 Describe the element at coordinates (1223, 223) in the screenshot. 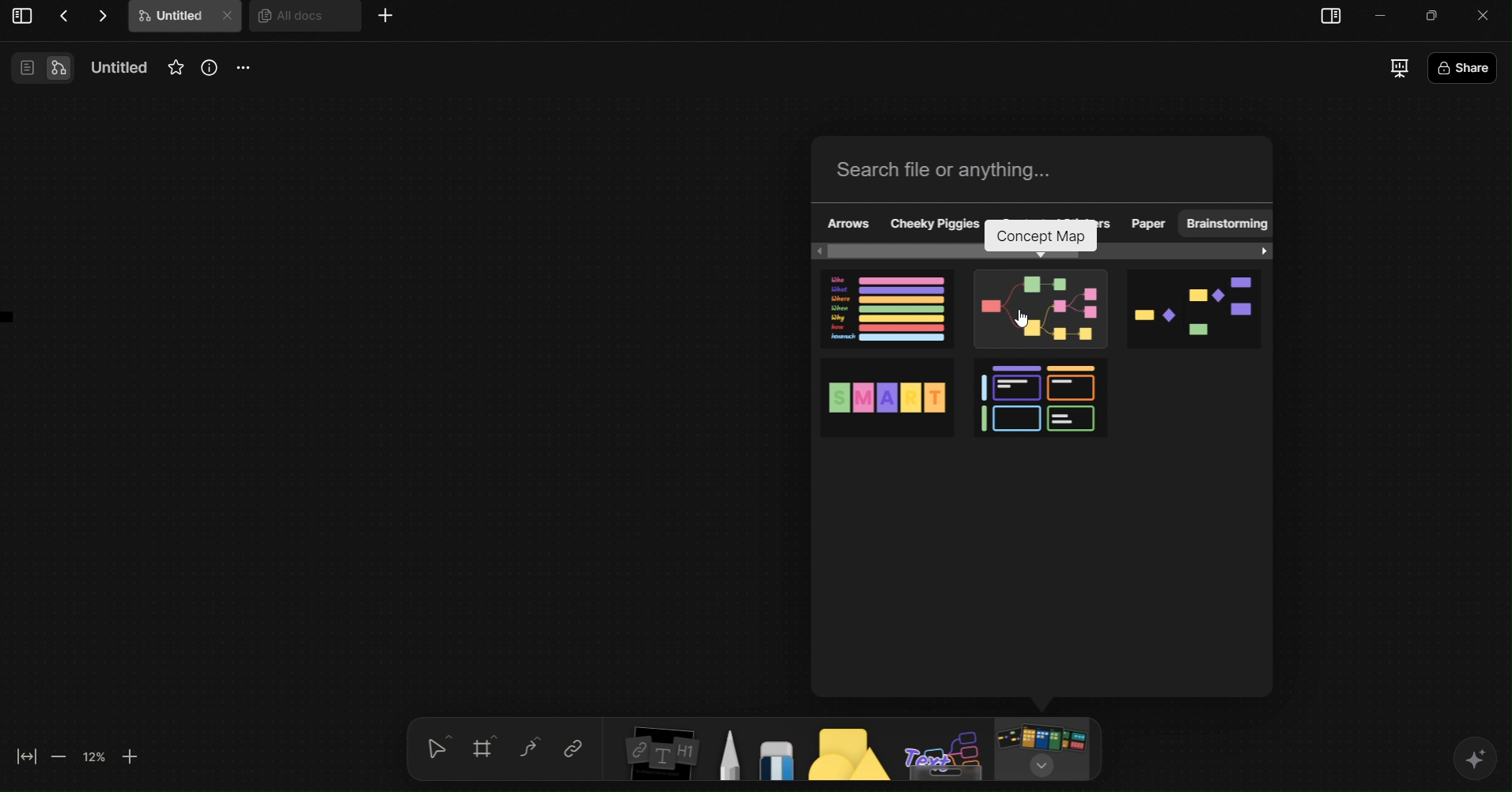

I see `Brainstorming` at that location.